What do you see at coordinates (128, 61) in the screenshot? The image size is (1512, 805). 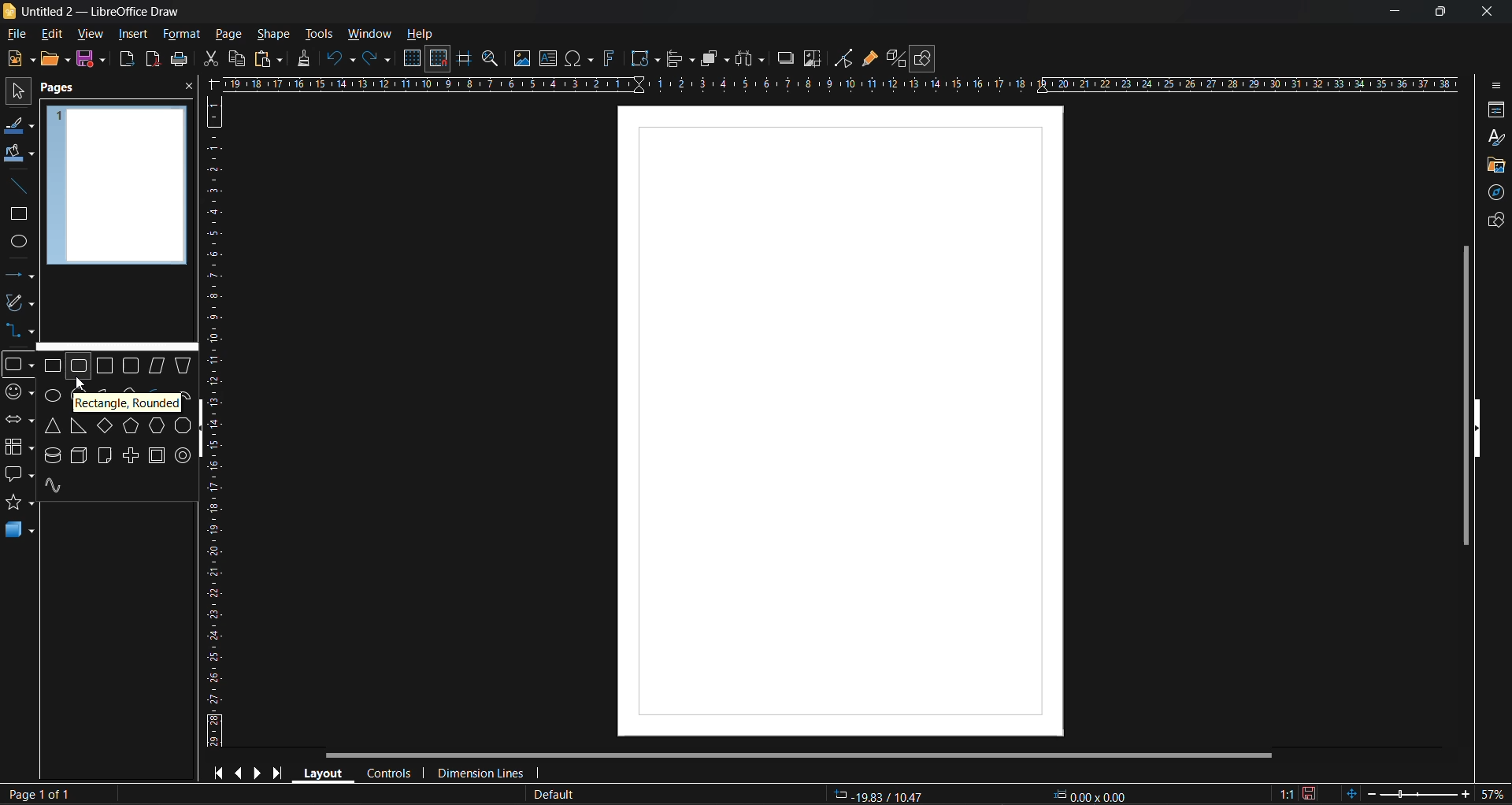 I see `export` at bounding box center [128, 61].